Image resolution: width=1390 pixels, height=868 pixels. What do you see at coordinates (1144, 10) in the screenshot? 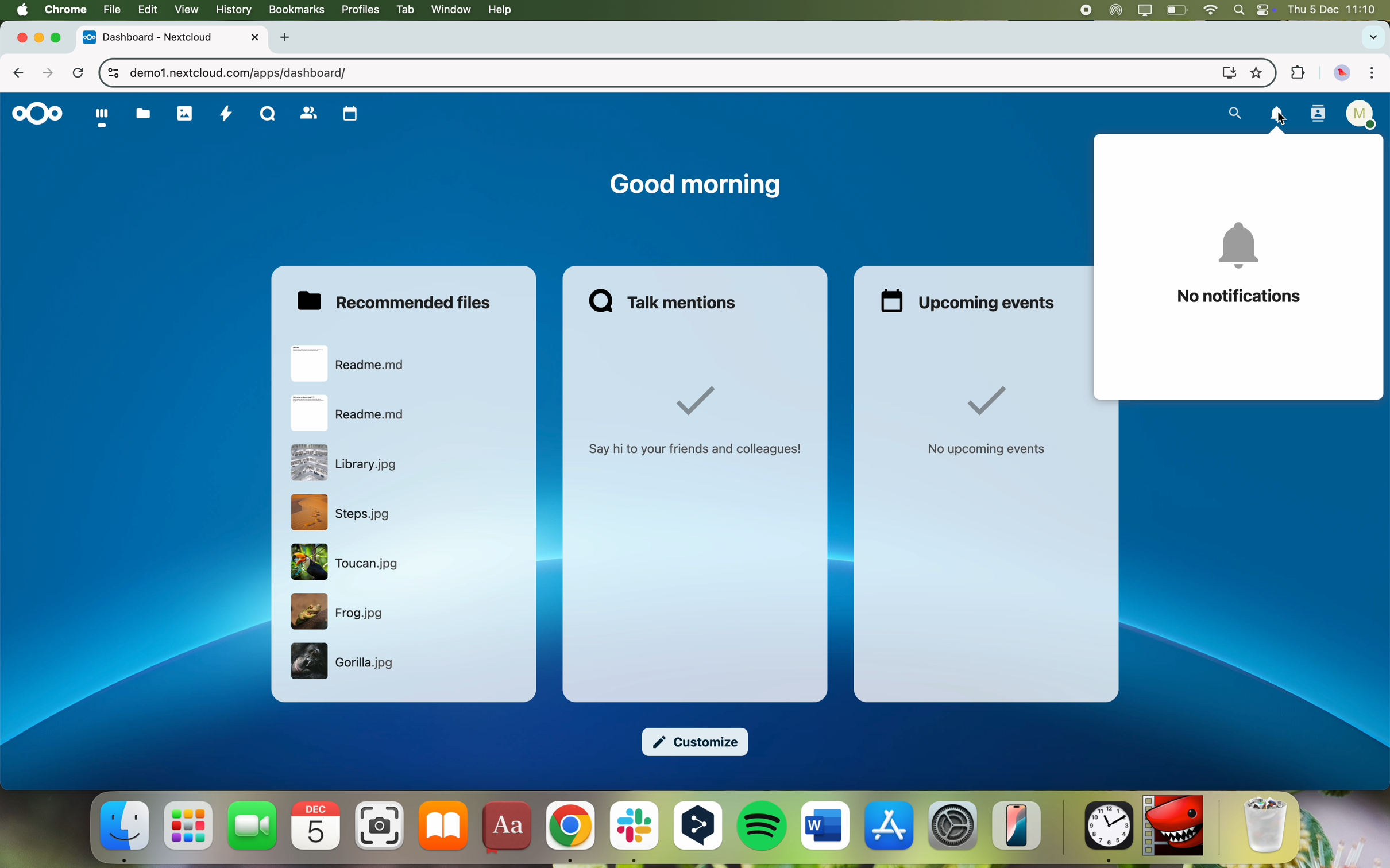
I see `screen` at bounding box center [1144, 10].